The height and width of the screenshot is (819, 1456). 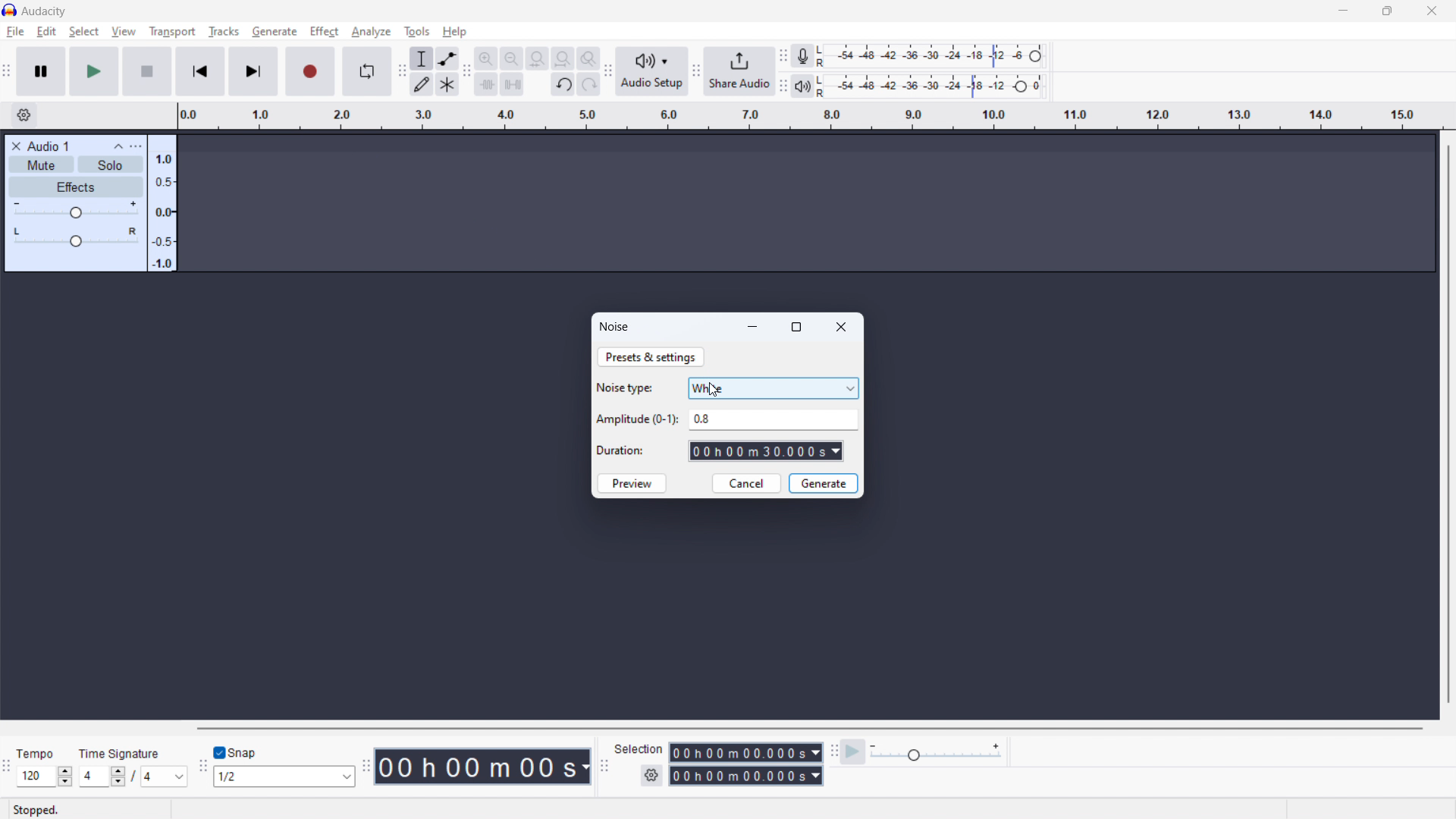 I want to click on select noise type, so click(x=773, y=388).